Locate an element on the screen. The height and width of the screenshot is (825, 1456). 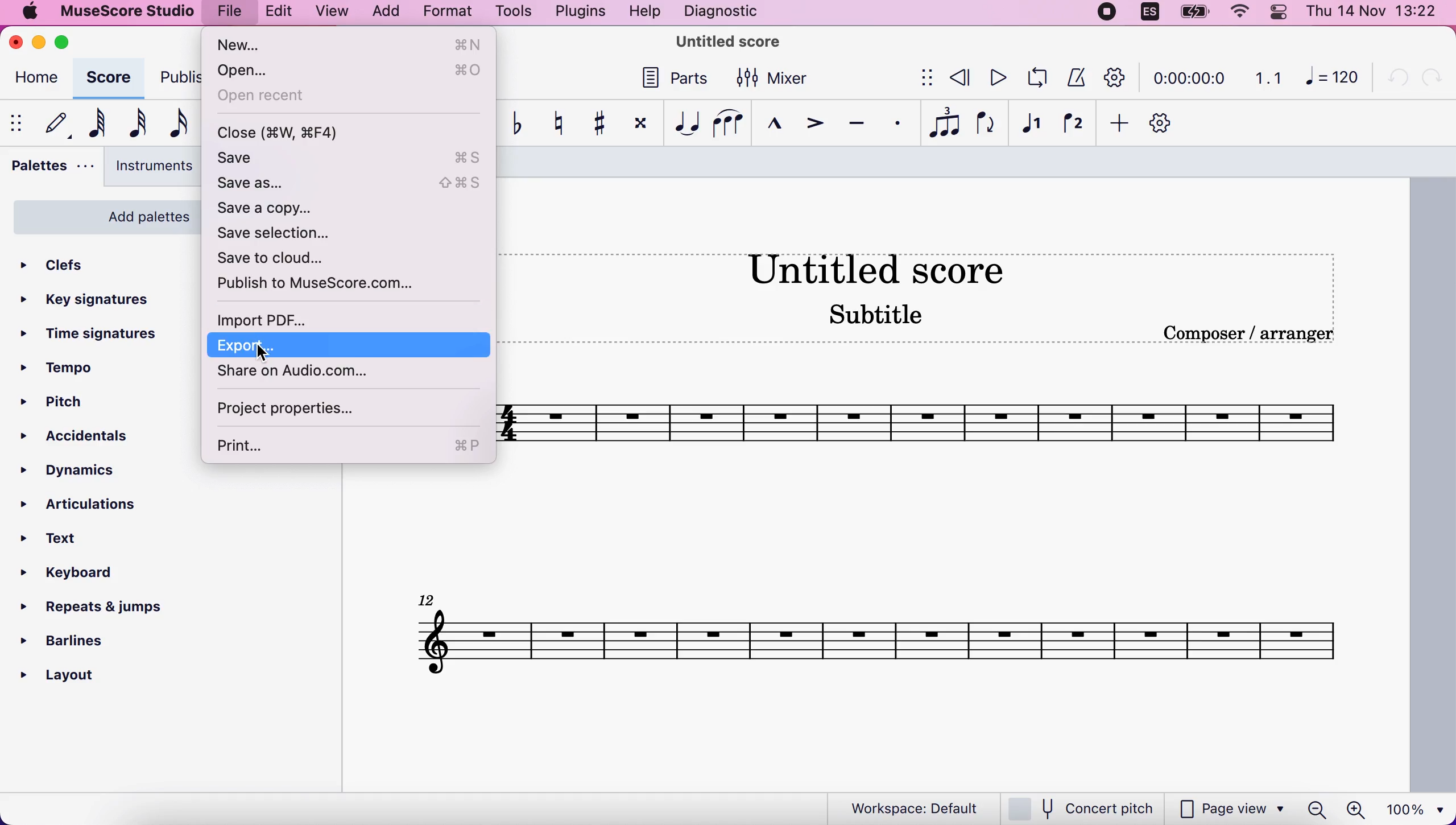
120 is located at coordinates (1334, 80).